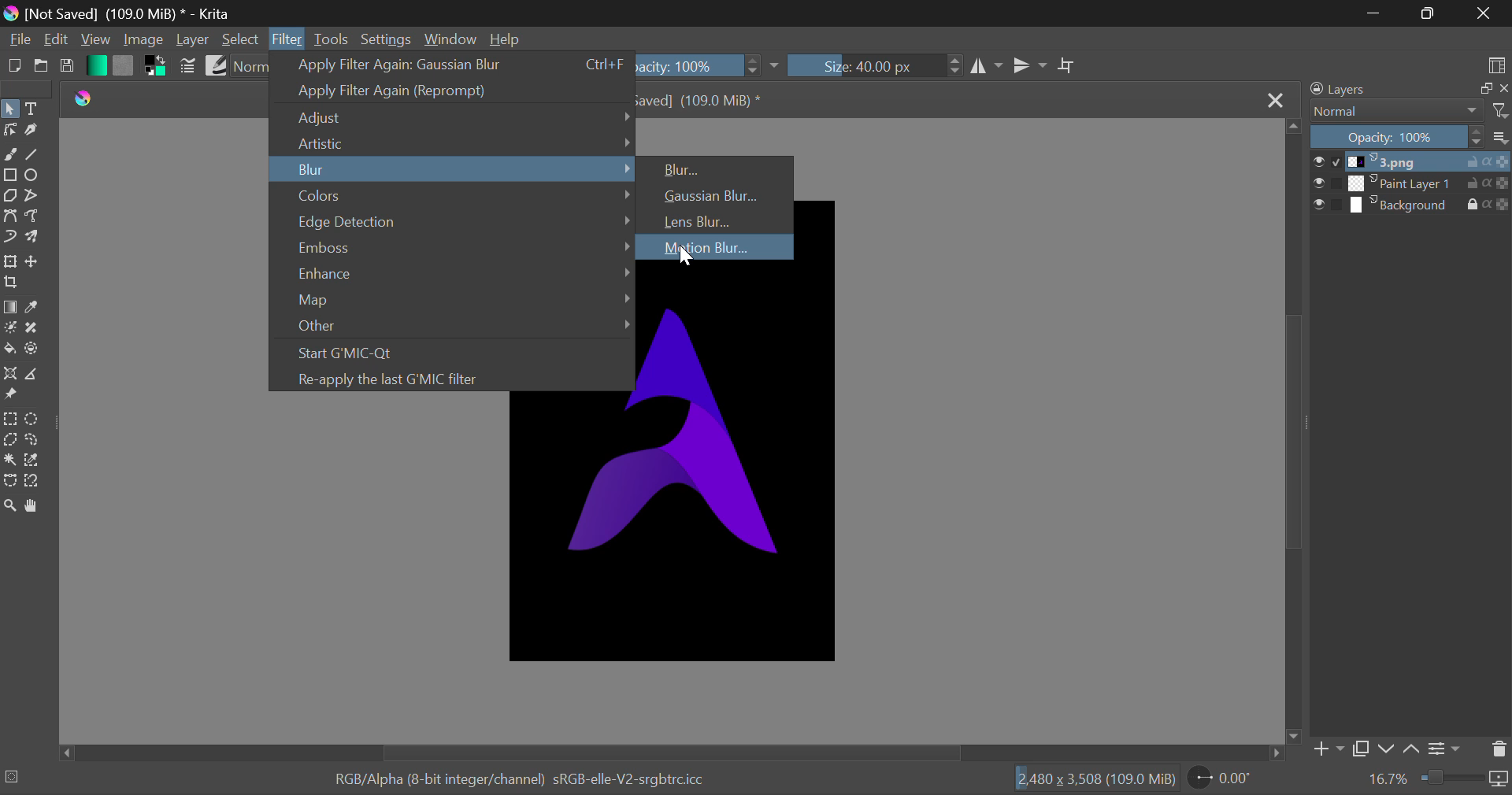 Image resolution: width=1512 pixels, height=795 pixels. Describe the element at coordinates (35, 238) in the screenshot. I see `Multibrush` at that location.